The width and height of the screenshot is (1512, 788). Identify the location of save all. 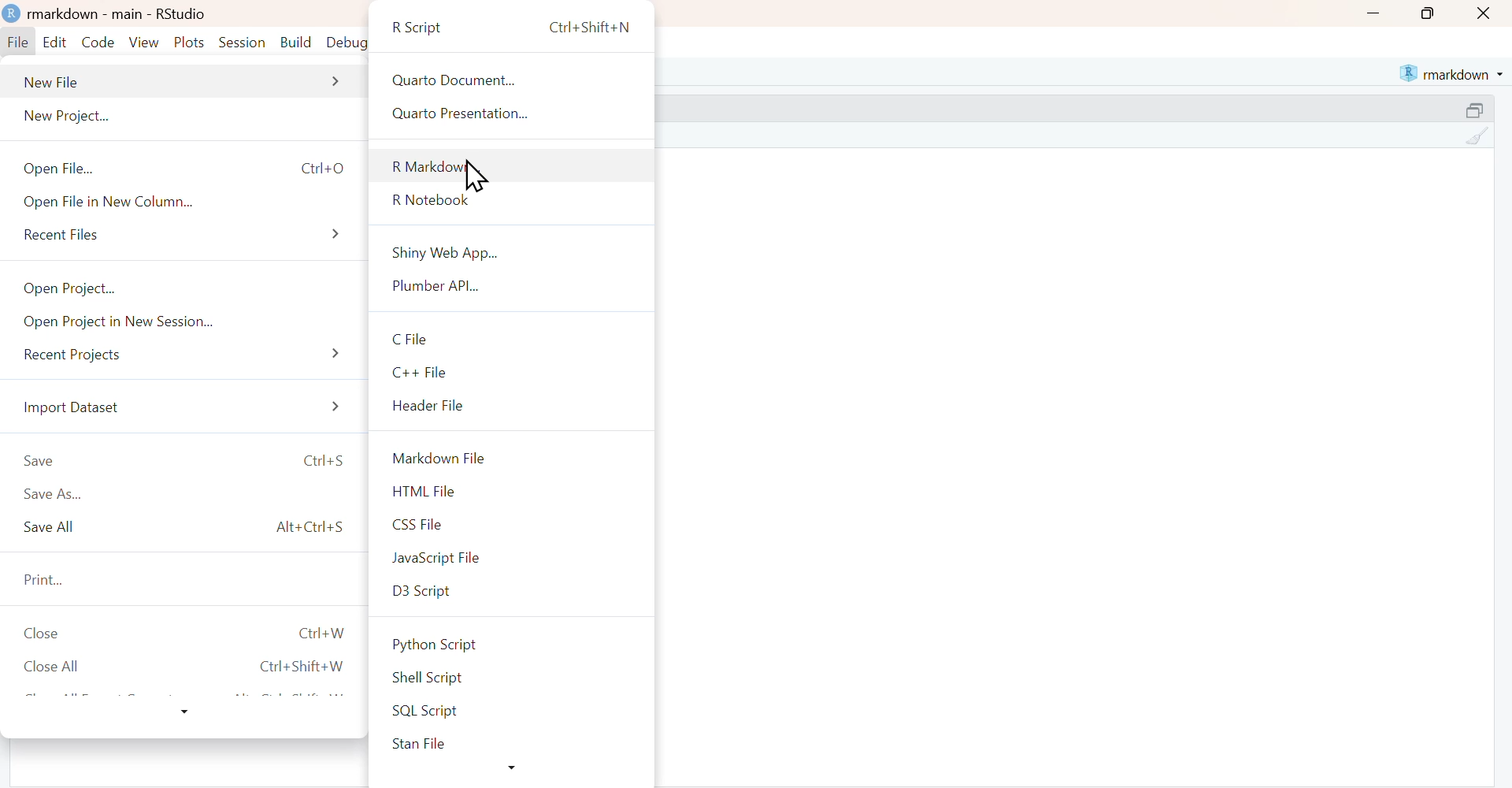
(190, 530).